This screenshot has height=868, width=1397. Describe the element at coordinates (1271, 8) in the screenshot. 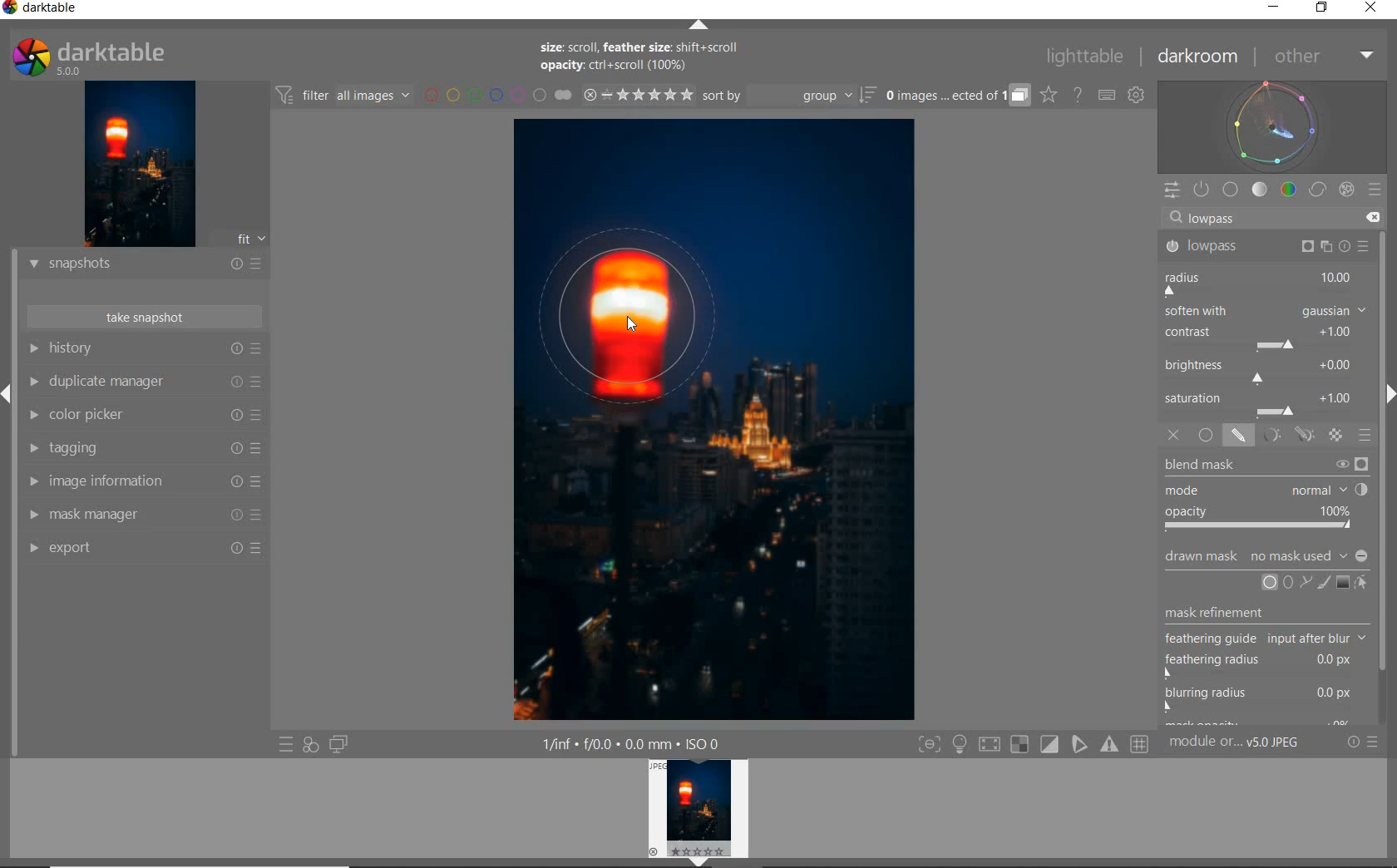

I see `MINIMIZE` at that location.